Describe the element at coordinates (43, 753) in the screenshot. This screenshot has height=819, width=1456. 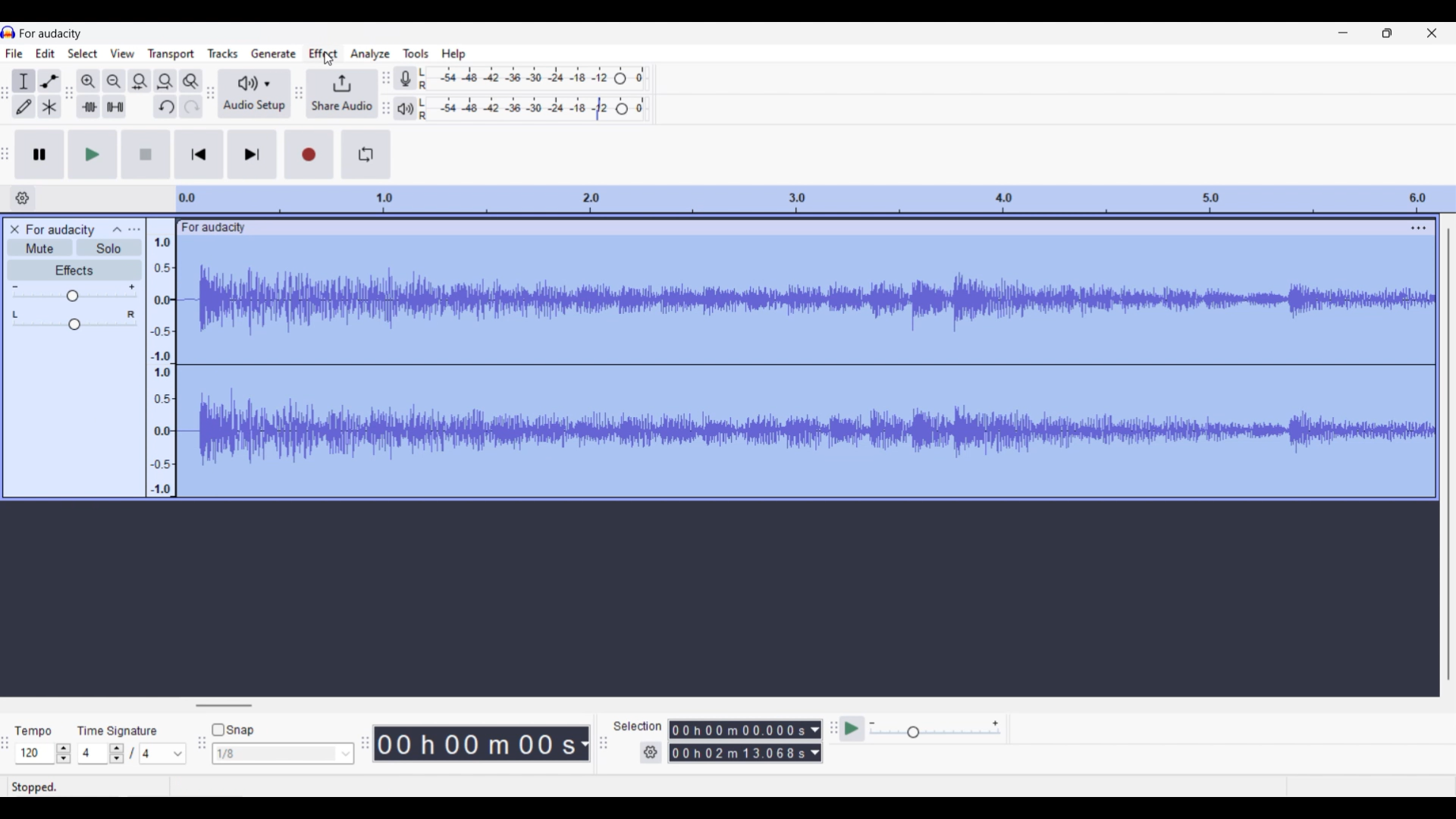
I see `Tempo settings` at that location.